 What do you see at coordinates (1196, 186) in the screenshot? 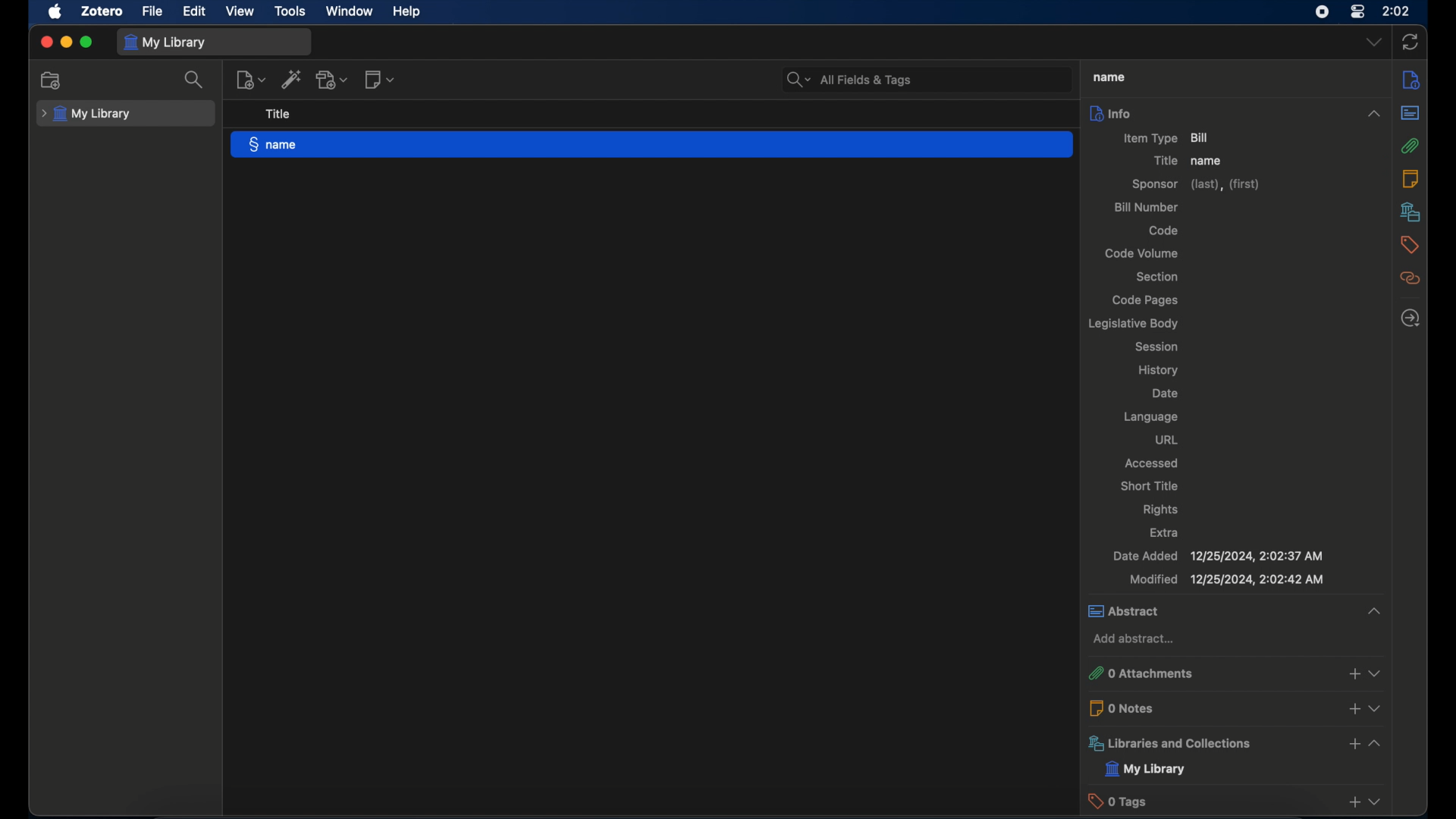
I see `sponsor` at bounding box center [1196, 186].